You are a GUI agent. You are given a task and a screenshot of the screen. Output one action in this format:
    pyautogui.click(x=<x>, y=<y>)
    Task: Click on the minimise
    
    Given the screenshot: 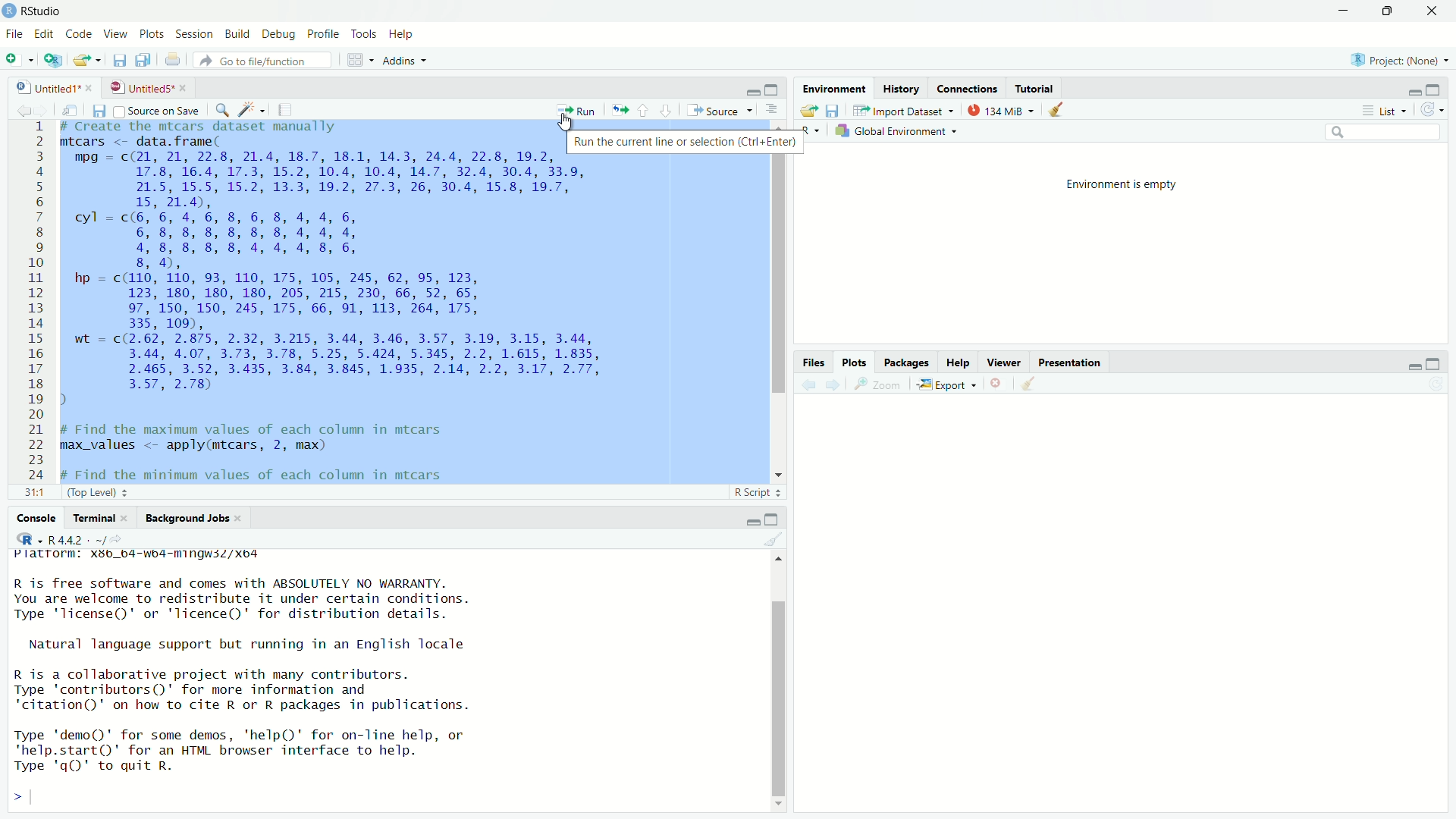 What is the action you would take?
    pyautogui.click(x=744, y=519)
    